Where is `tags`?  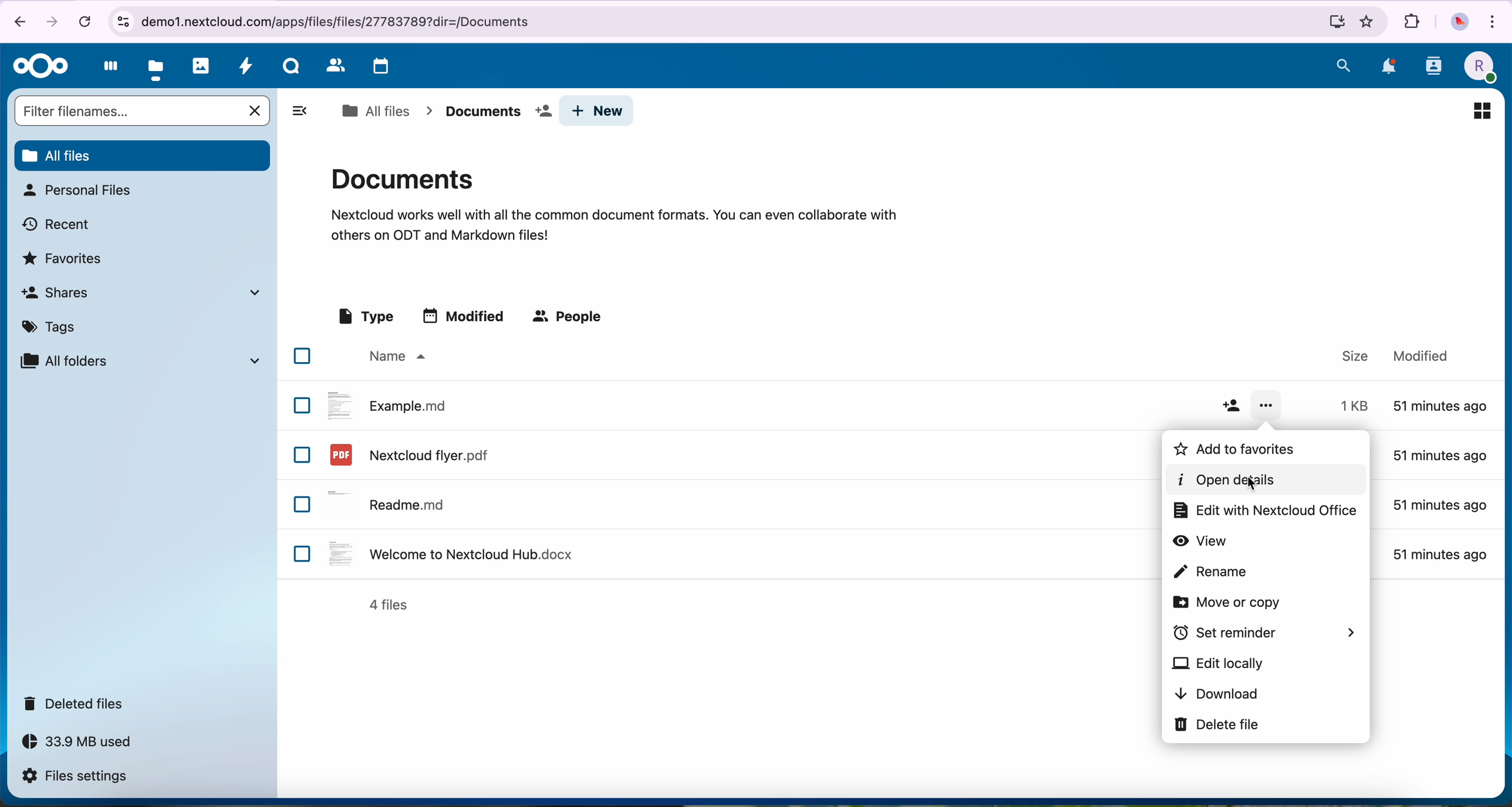 tags is located at coordinates (53, 325).